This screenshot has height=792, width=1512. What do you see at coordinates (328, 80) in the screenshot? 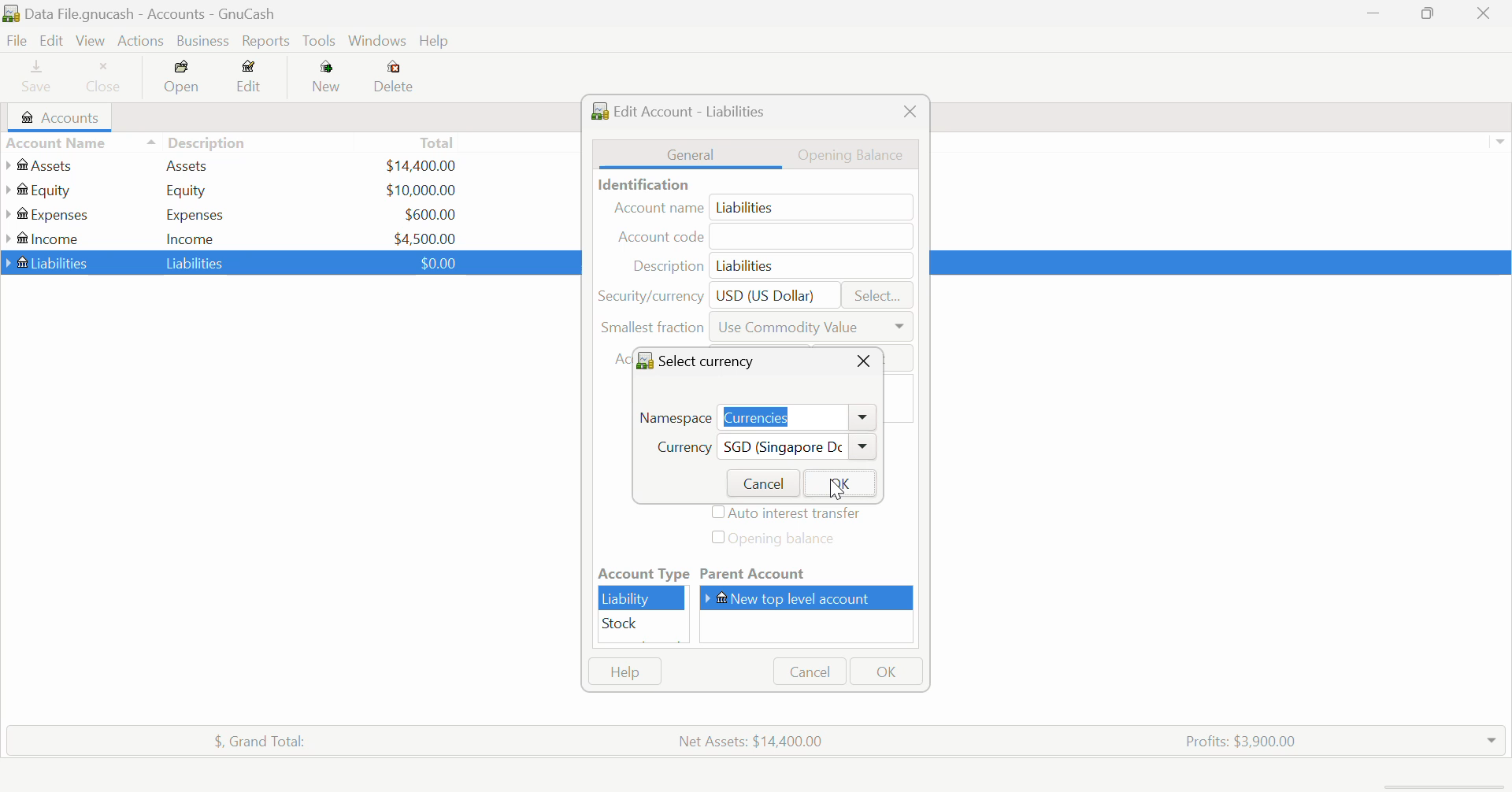
I see `New` at bounding box center [328, 80].